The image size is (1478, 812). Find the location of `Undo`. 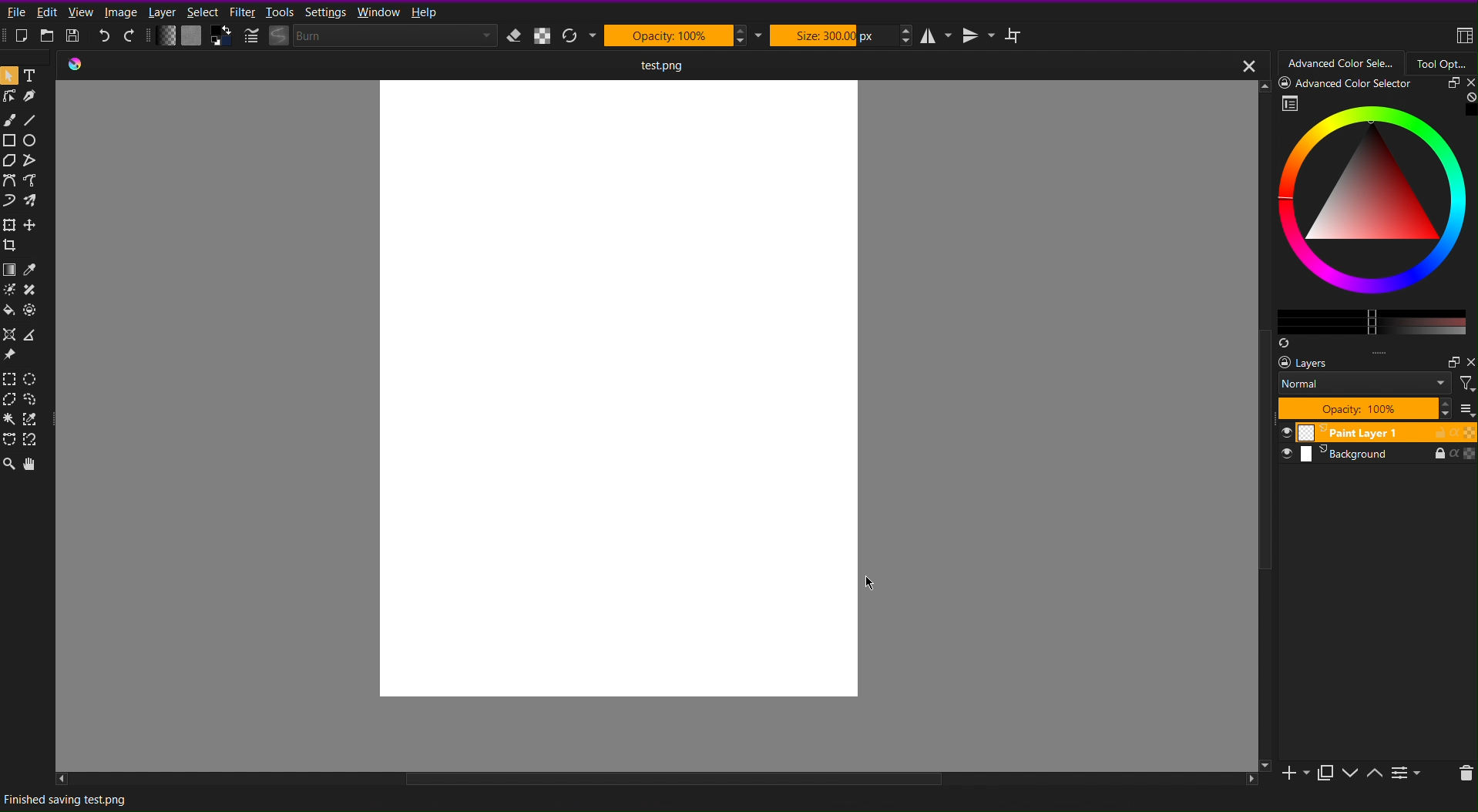

Undo is located at coordinates (104, 38).